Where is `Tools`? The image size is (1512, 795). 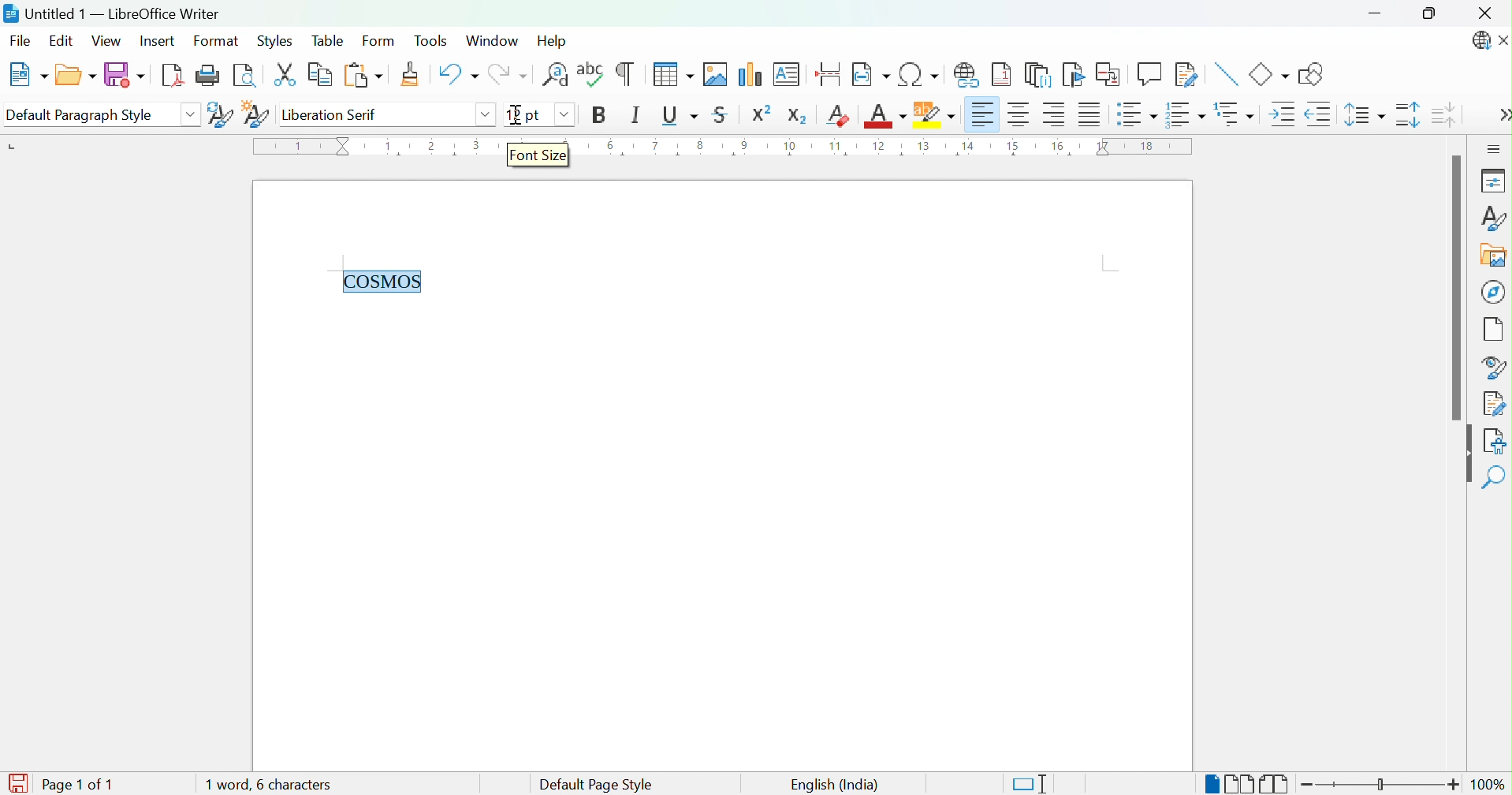 Tools is located at coordinates (433, 39).